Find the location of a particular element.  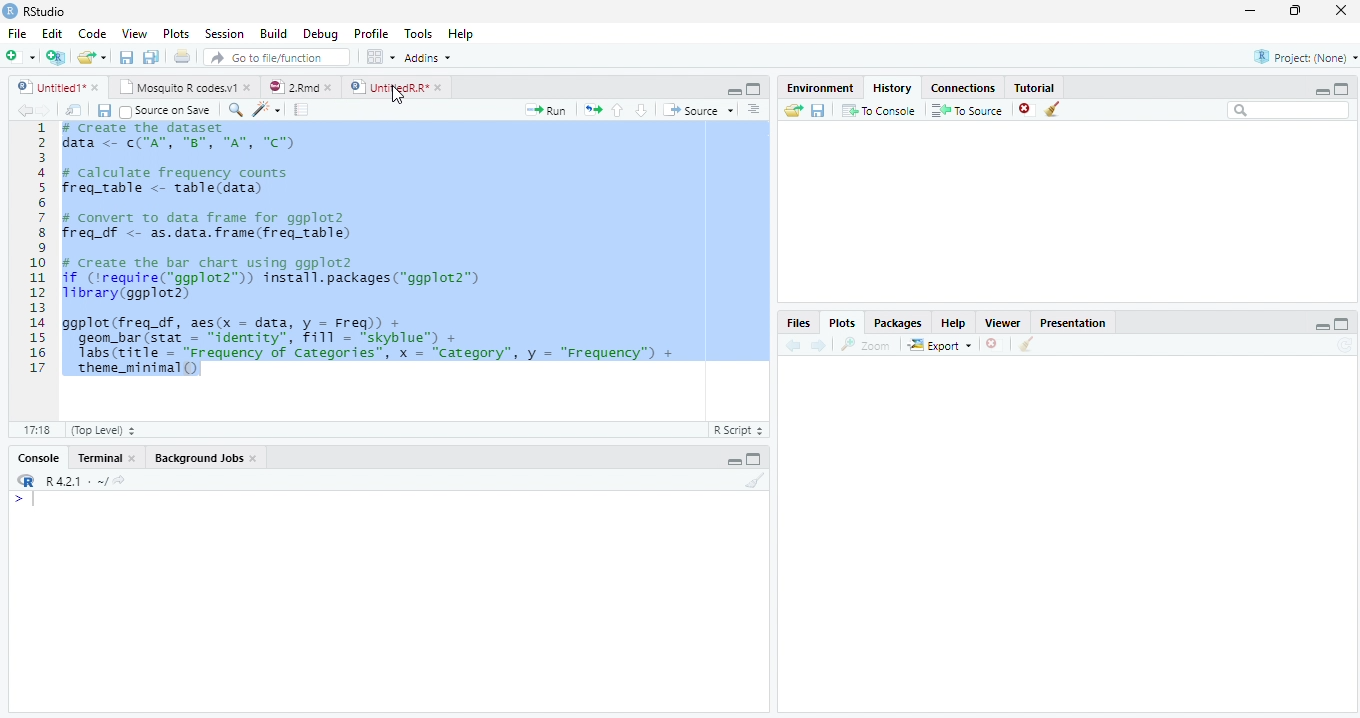

Plots is located at coordinates (842, 322).